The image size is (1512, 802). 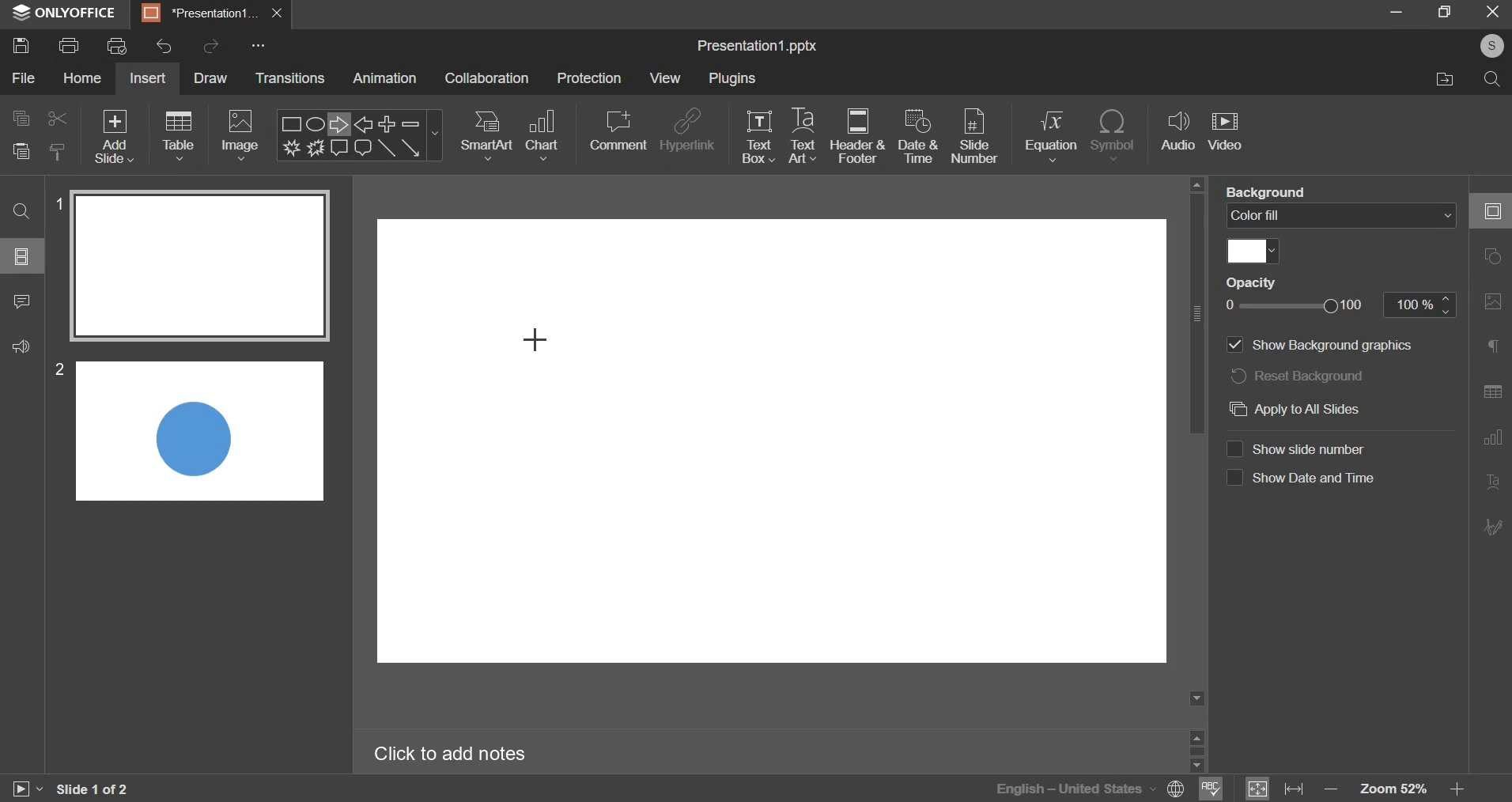 What do you see at coordinates (22, 255) in the screenshot?
I see `slide` at bounding box center [22, 255].